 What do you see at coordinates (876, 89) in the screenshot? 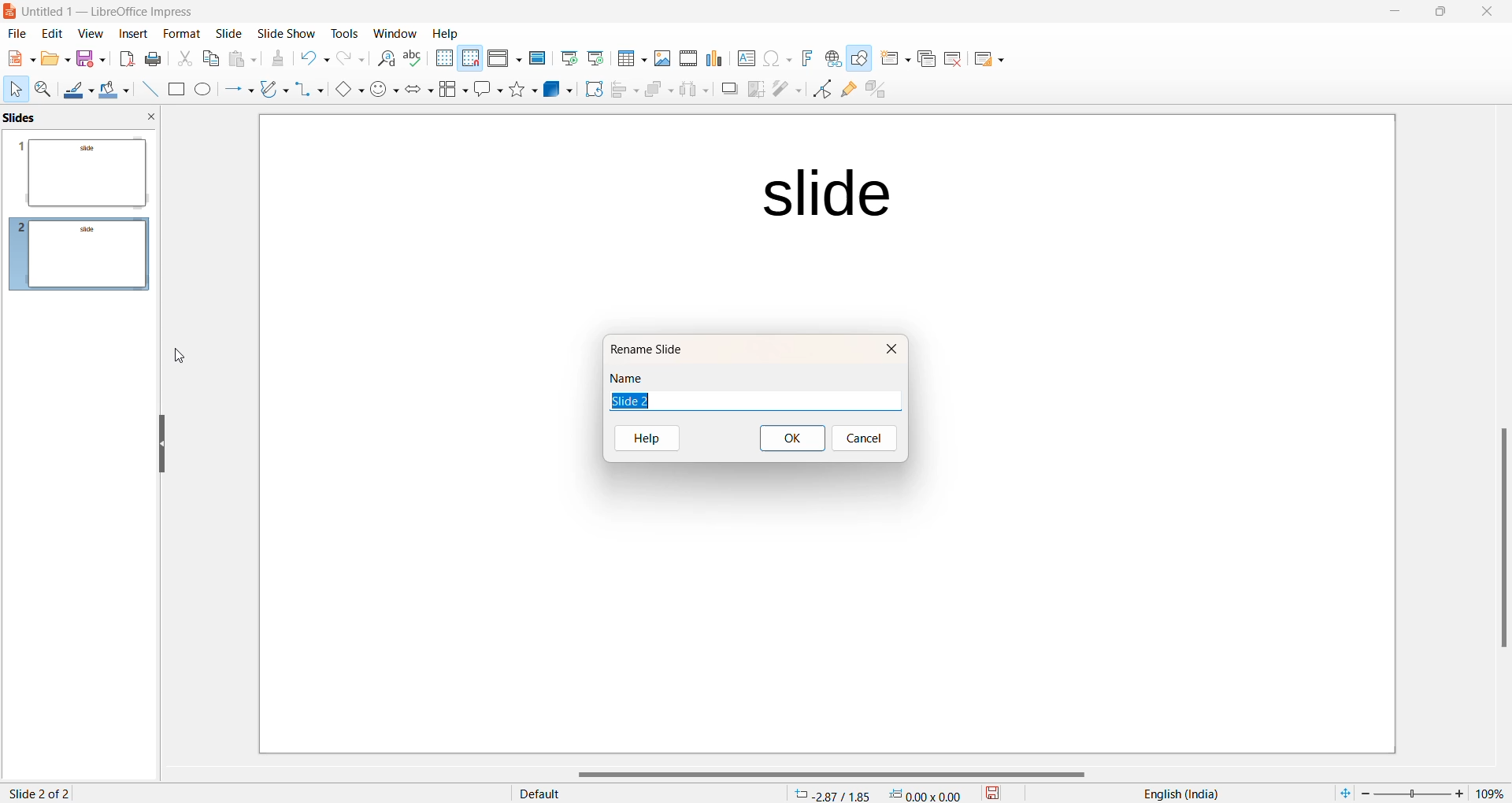
I see `toggle extrusion` at bounding box center [876, 89].